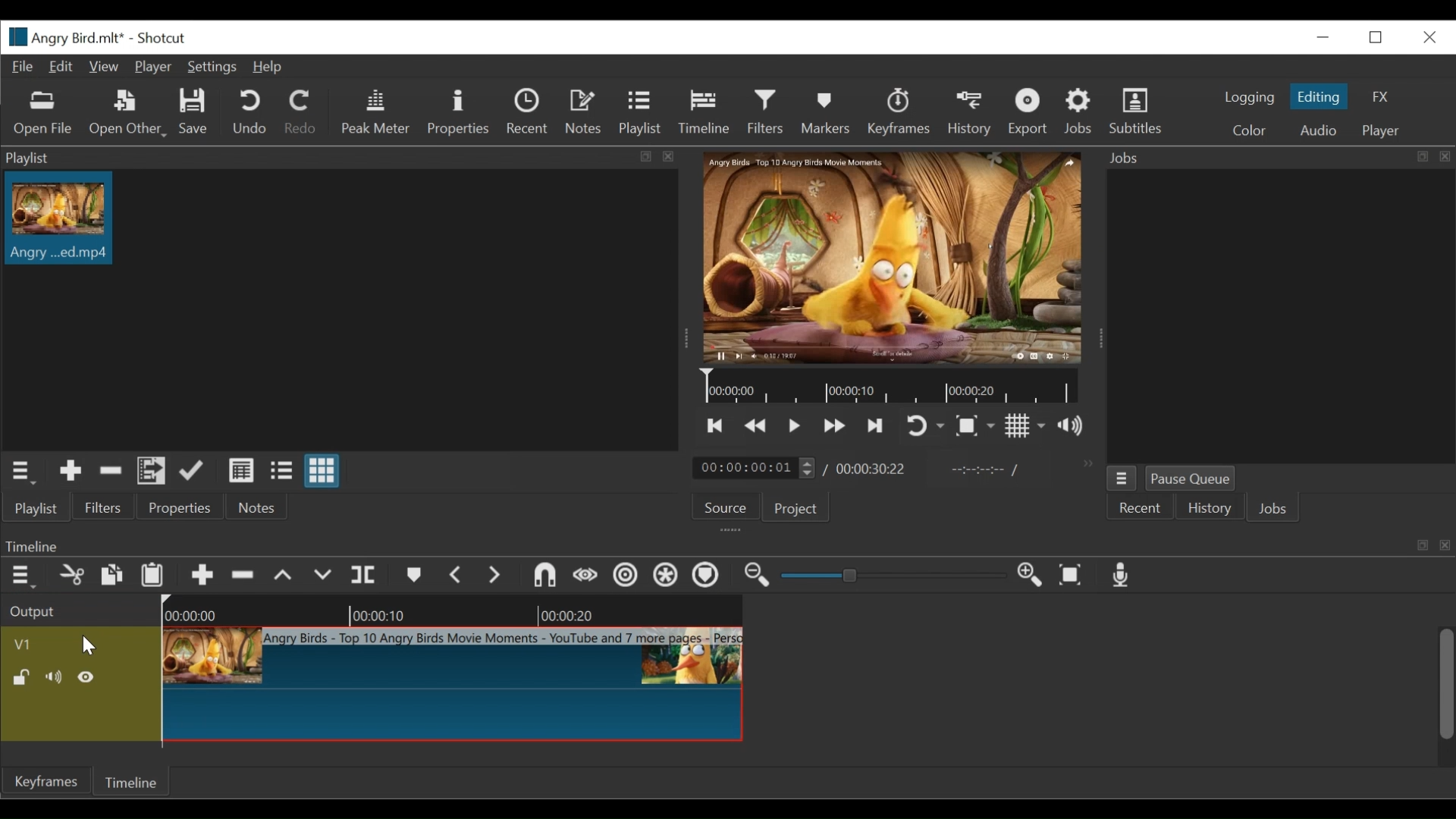 This screenshot has width=1456, height=819. Describe the element at coordinates (61, 218) in the screenshot. I see `Clip` at that location.